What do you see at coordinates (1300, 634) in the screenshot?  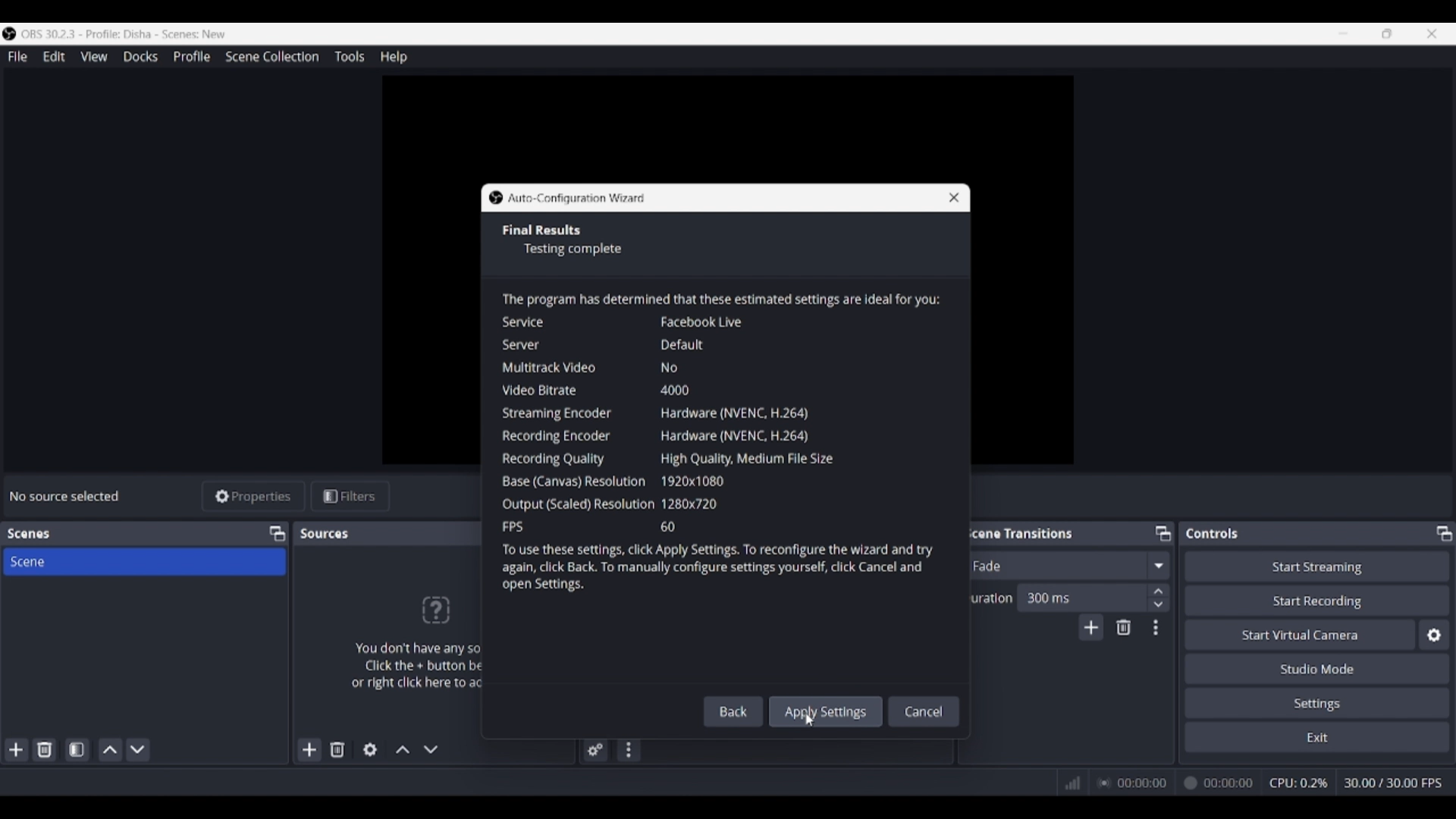 I see `Start virtual camera` at bounding box center [1300, 634].